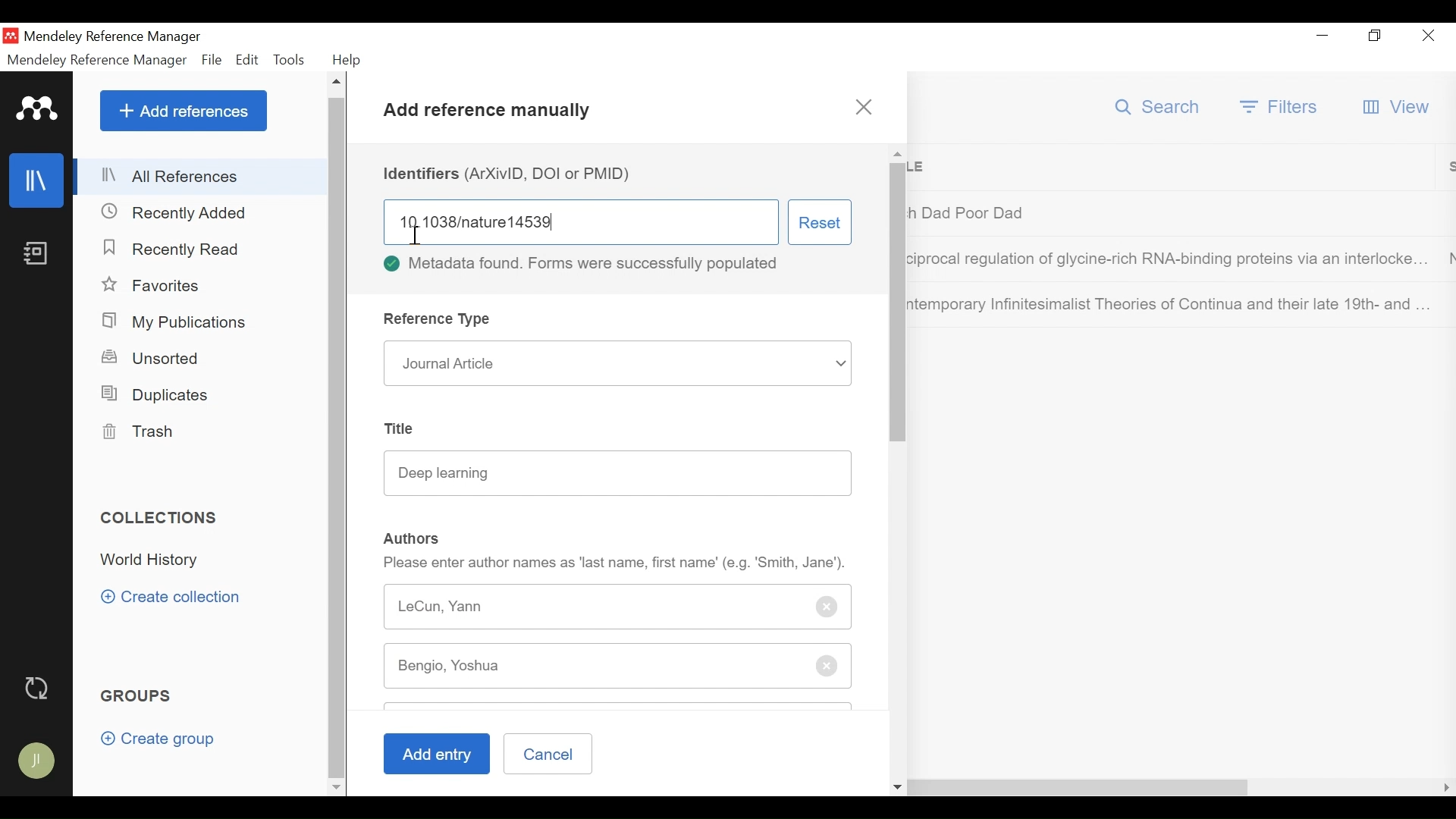  What do you see at coordinates (1281, 106) in the screenshot?
I see `Filter` at bounding box center [1281, 106].